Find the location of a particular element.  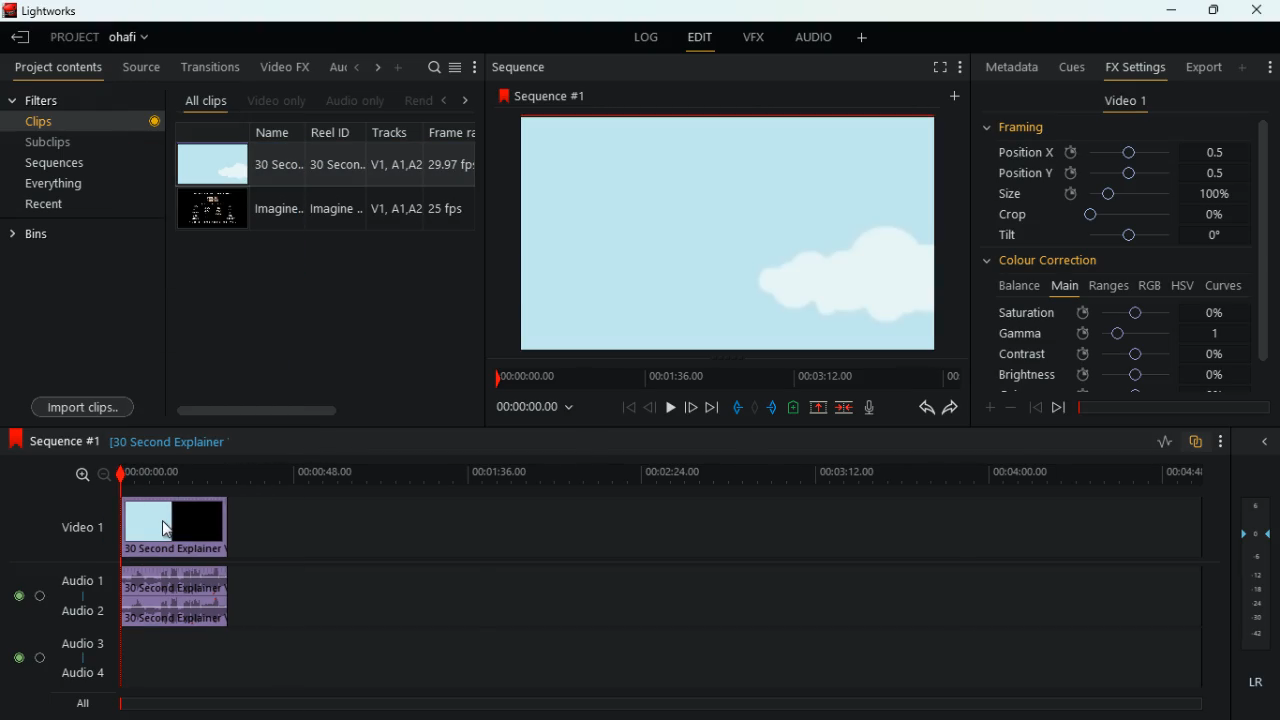

join is located at coordinates (846, 407).